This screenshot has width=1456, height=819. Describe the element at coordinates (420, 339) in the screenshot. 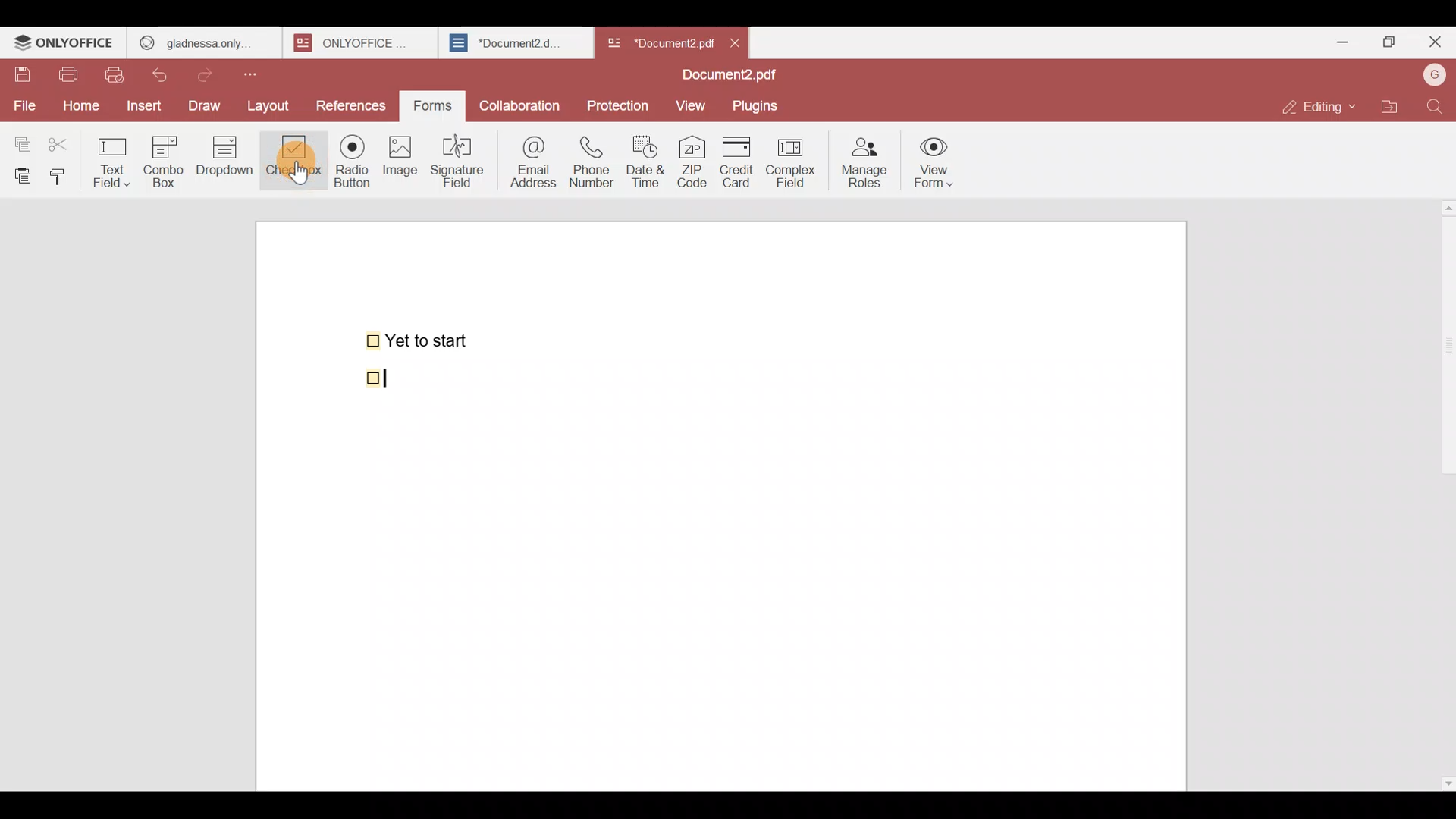

I see `Yet to start` at that location.